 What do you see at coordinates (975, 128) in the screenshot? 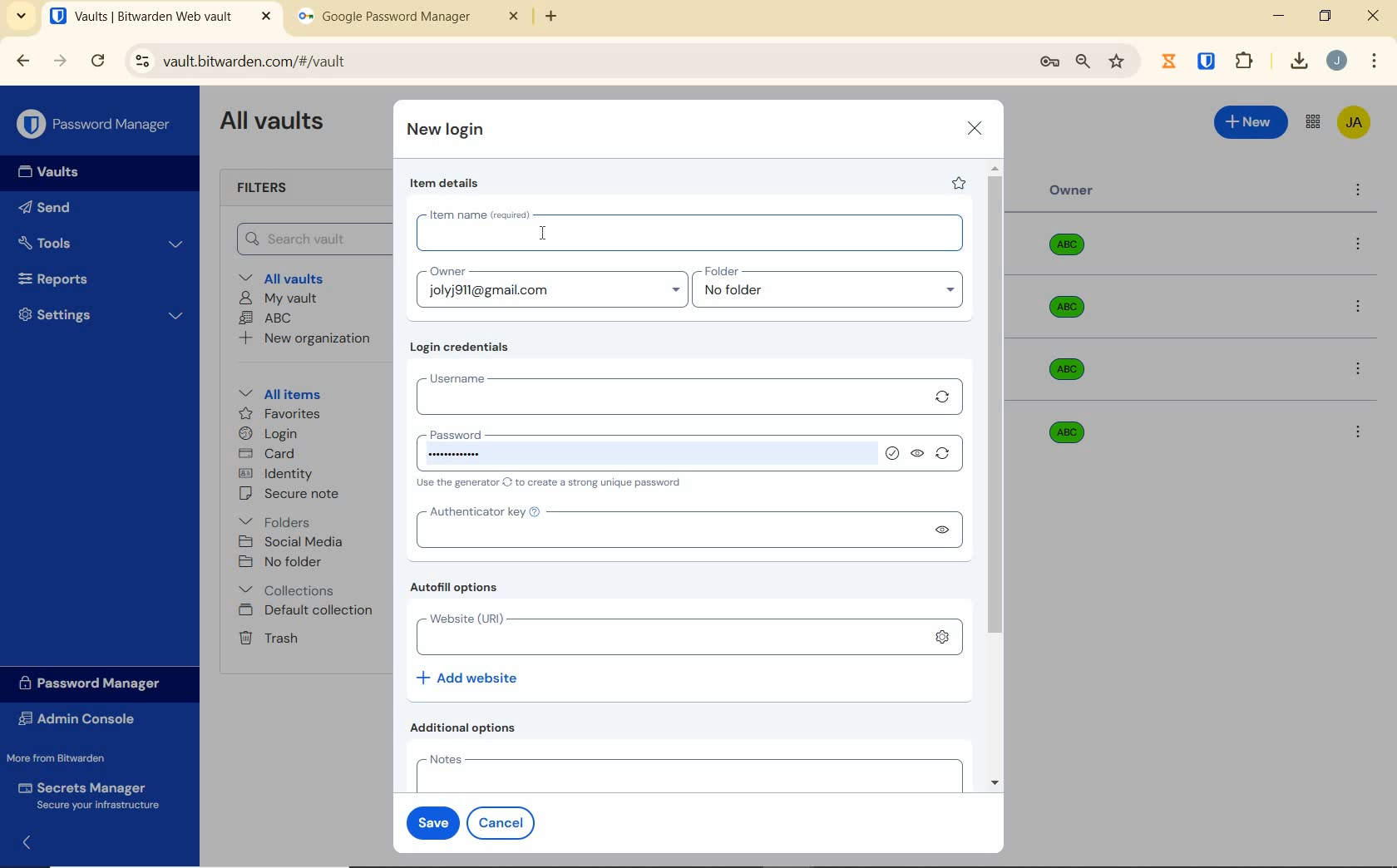
I see `close` at bounding box center [975, 128].